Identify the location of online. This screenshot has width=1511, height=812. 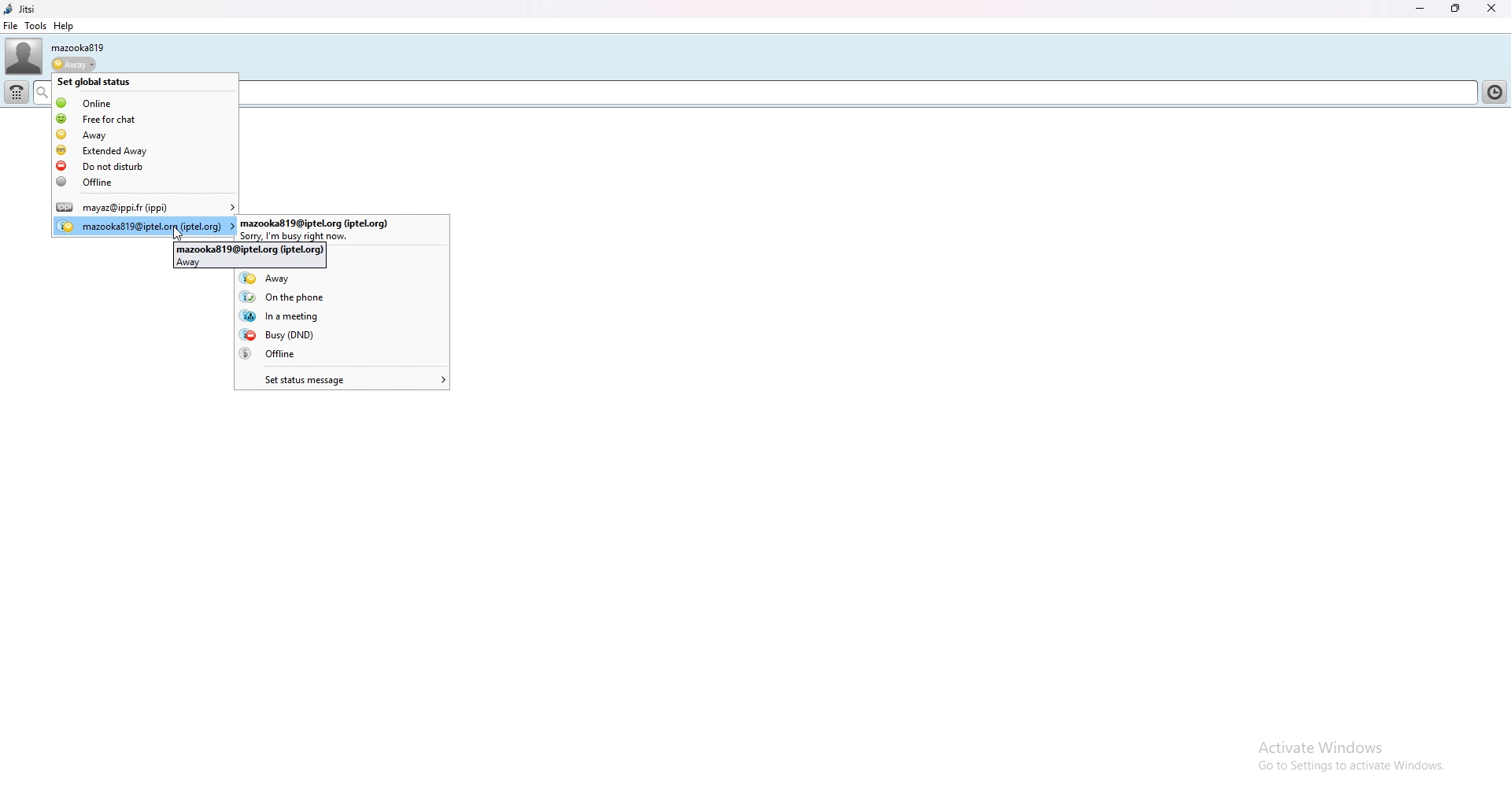
(146, 101).